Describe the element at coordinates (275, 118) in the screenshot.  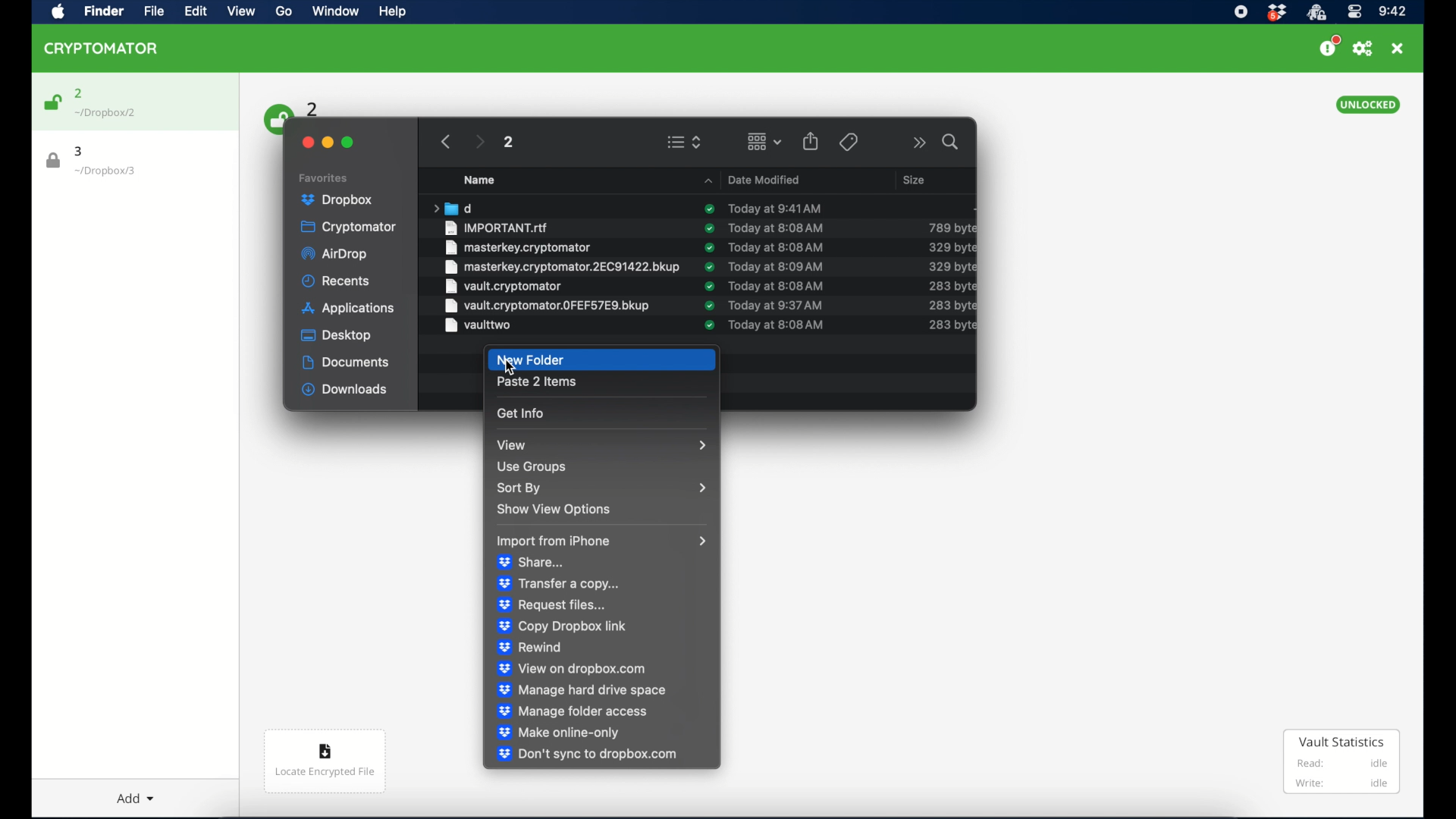
I see `unlock icon` at that location.